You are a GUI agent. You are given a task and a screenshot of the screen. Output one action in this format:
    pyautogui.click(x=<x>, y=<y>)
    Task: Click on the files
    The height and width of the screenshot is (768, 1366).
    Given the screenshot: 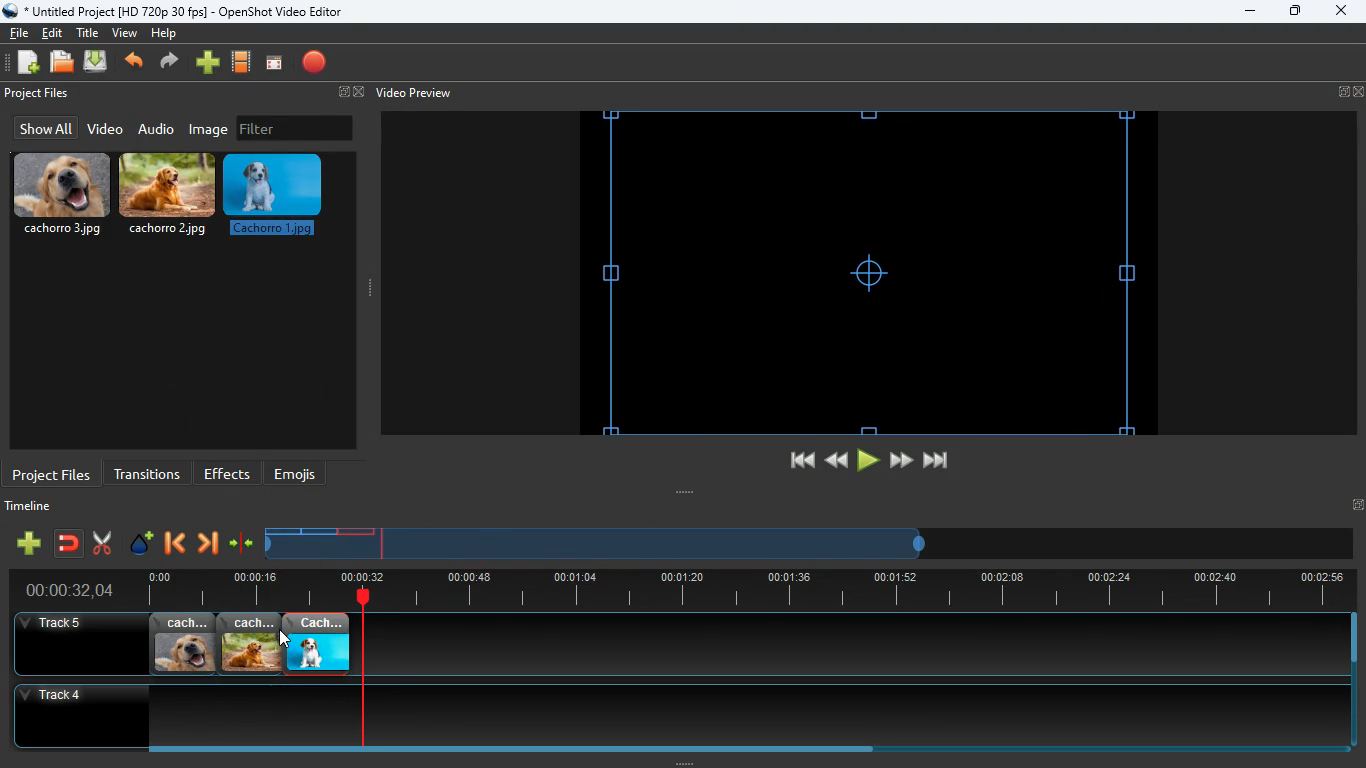 What is the action you would take?
    pyautogui.click(x=63, y=63)
    